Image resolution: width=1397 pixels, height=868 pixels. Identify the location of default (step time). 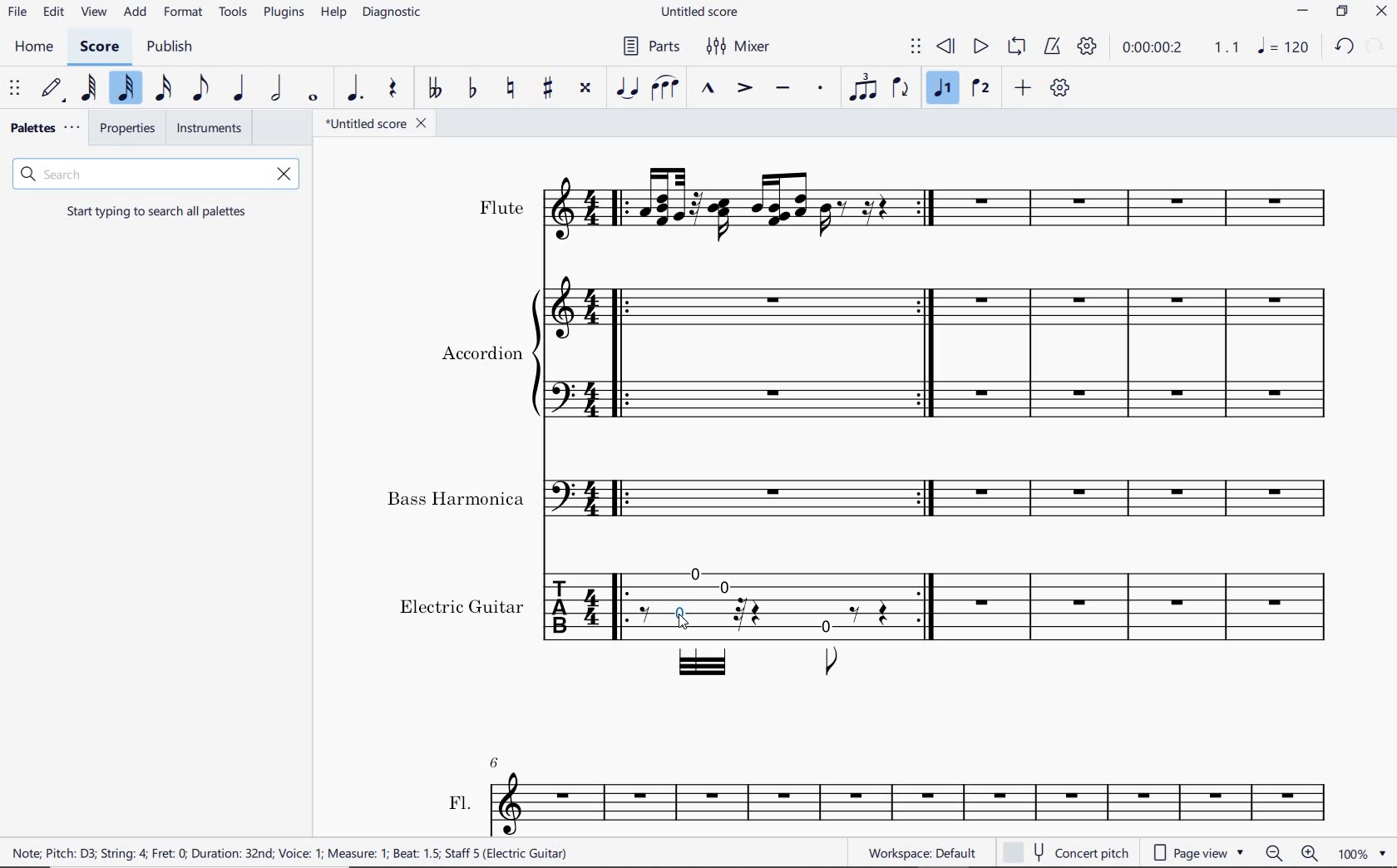
(52, 90).